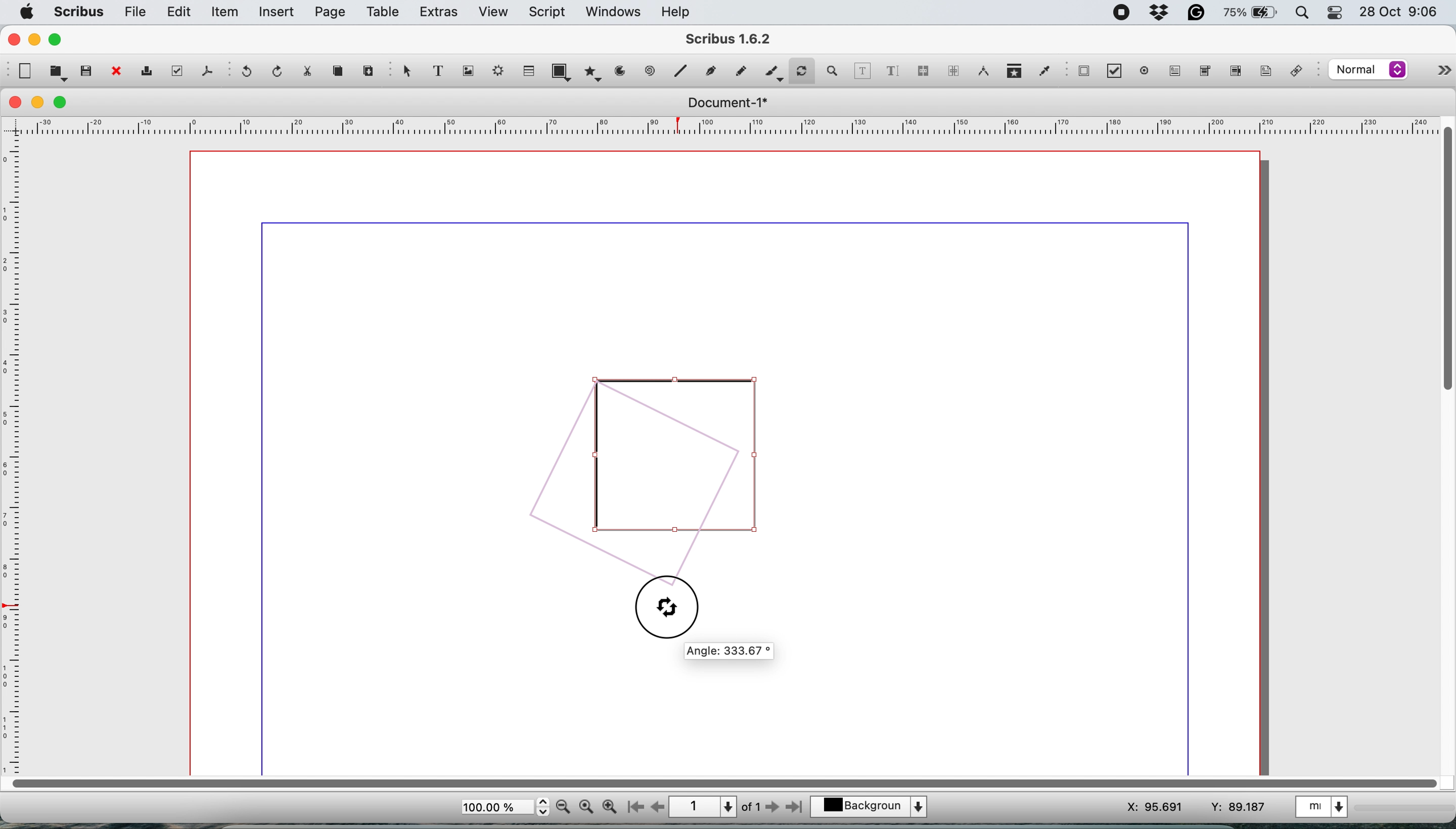 The width and height of the screenshot is (1456, 829). Describe the element at coordinates (563, 808) in the screenshot. I see `zoom out` at that location.